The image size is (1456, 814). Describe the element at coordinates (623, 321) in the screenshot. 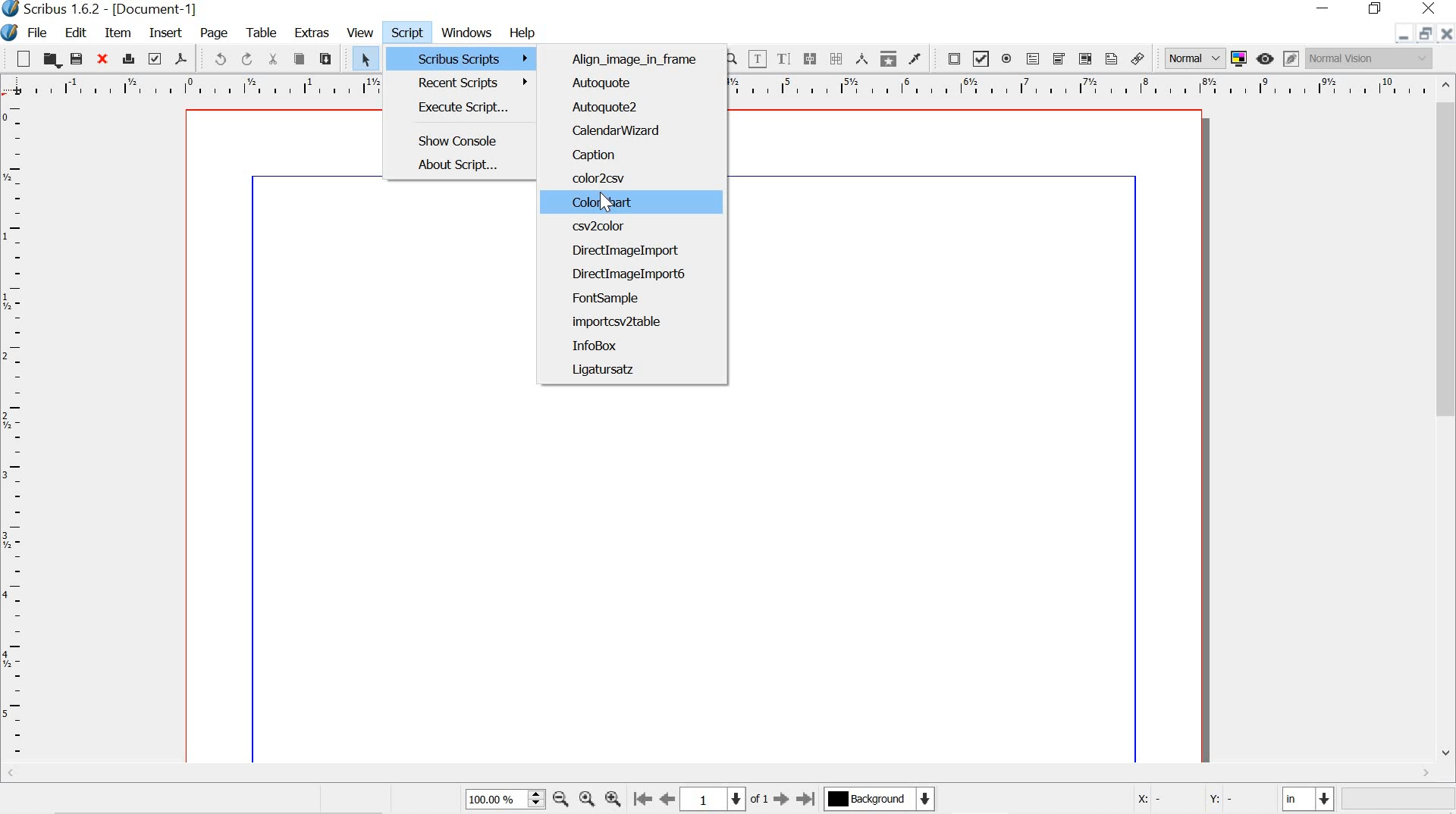

I see `importcsv2table` at that location.